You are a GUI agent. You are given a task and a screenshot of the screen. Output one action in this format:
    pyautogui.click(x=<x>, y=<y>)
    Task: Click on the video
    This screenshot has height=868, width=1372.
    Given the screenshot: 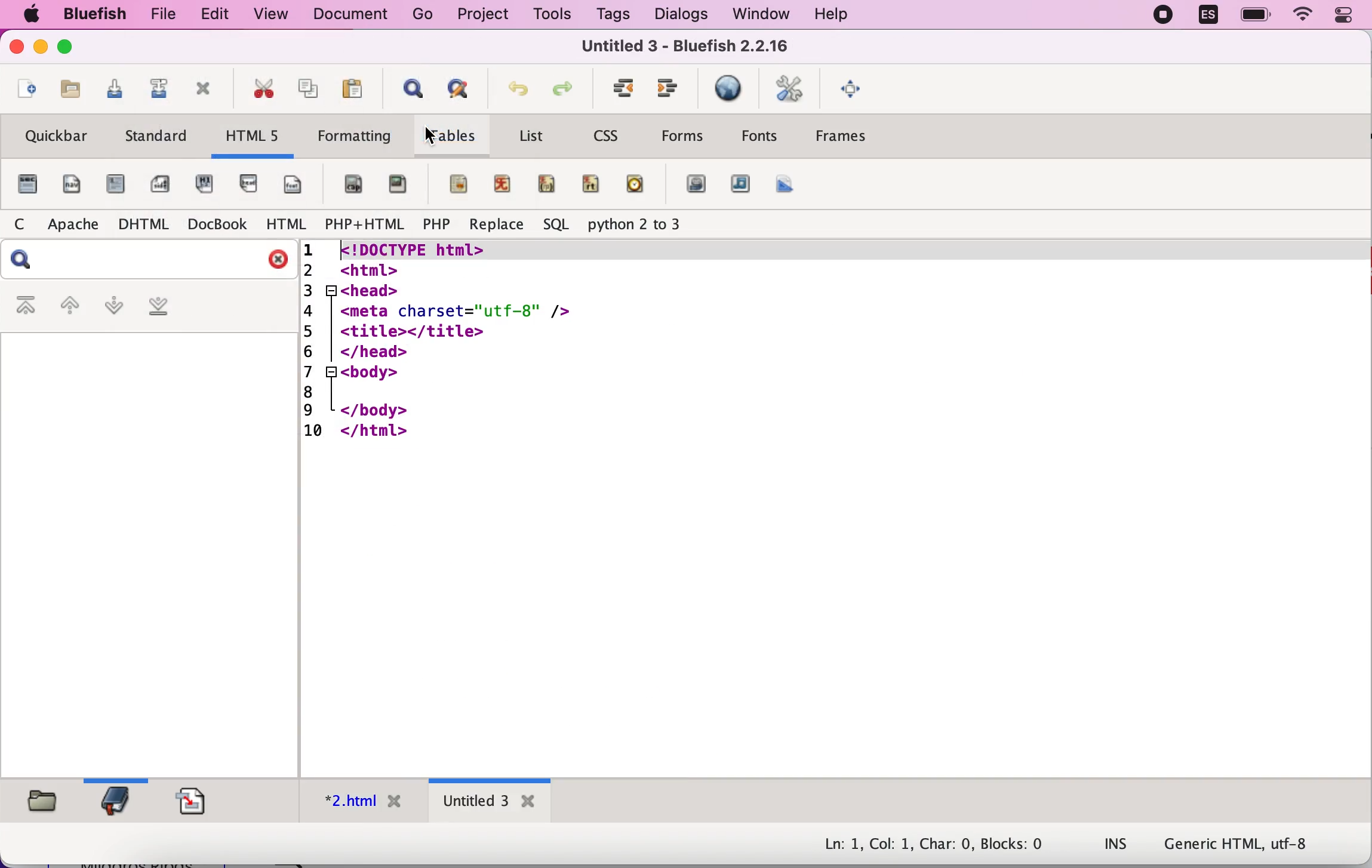 What is the action you would take?
    pyautogui.click(x=694, y=186)
    